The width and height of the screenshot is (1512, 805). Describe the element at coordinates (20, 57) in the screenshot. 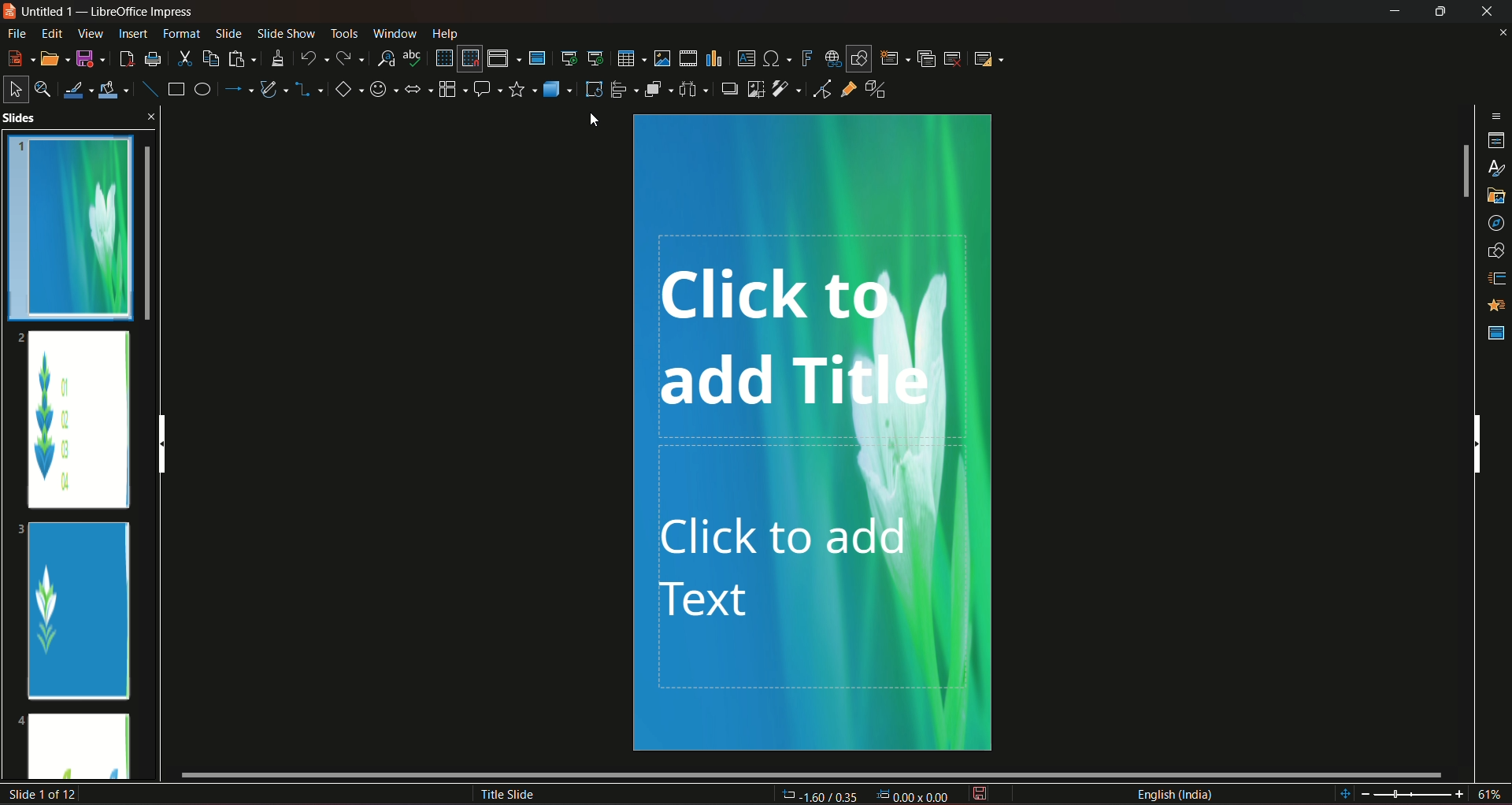

I see `new` at that location.